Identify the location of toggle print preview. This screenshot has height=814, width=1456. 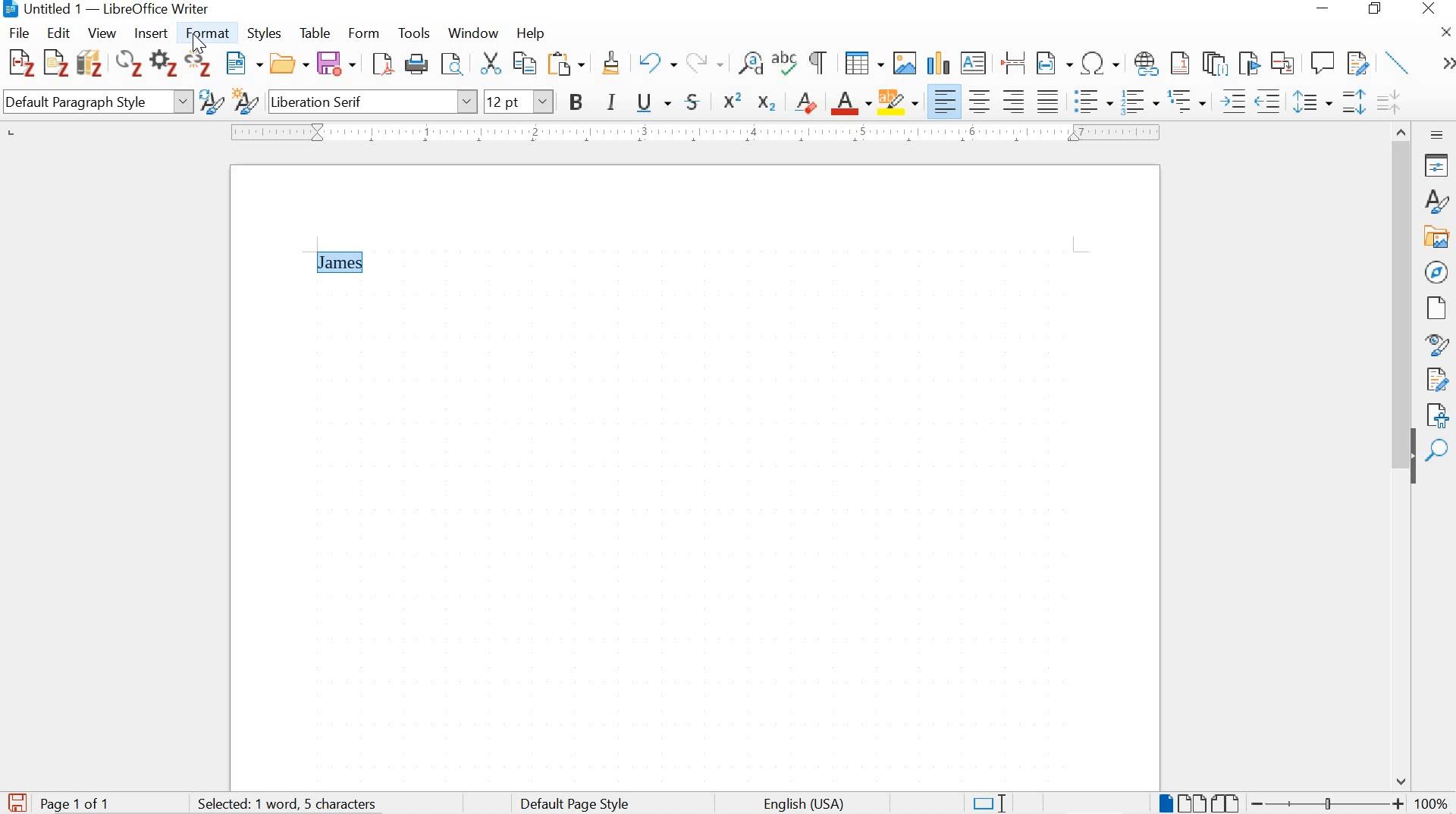
(451, 66).